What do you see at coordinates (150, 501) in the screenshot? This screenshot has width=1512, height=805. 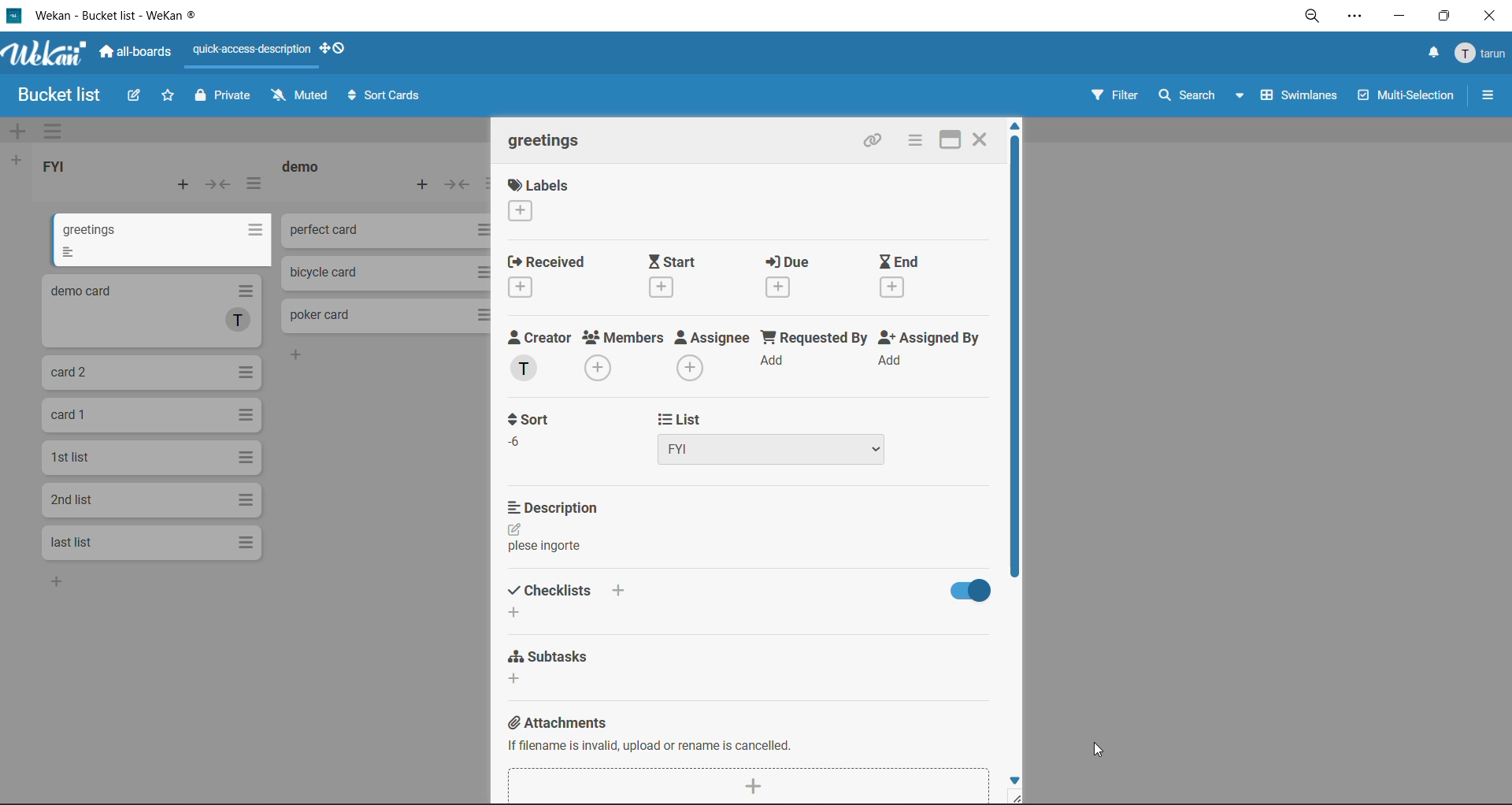 I see `cards` at bounding box center [150, 501].